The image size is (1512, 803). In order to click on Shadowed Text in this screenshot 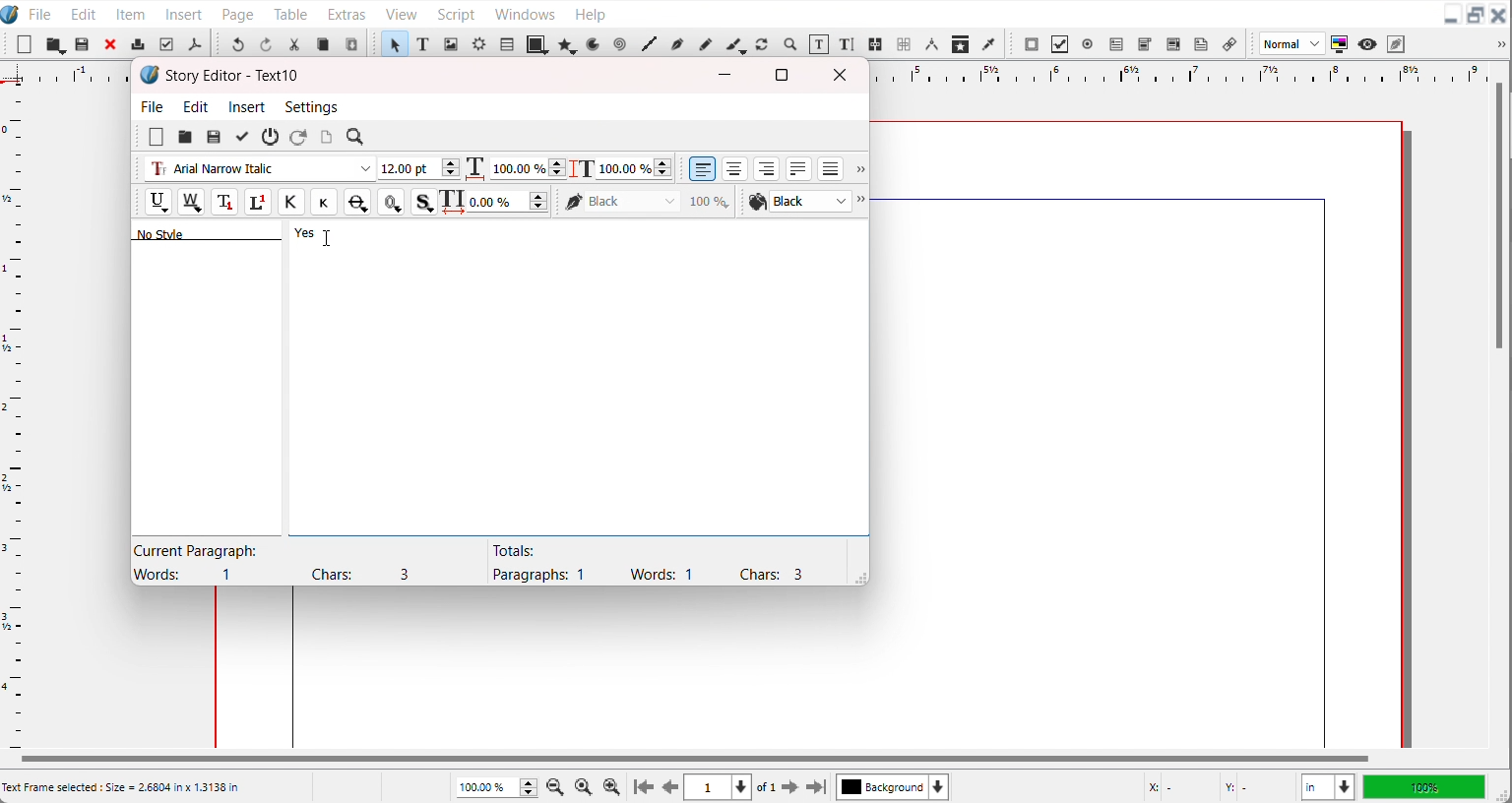, I will do `click(424, 202)`.